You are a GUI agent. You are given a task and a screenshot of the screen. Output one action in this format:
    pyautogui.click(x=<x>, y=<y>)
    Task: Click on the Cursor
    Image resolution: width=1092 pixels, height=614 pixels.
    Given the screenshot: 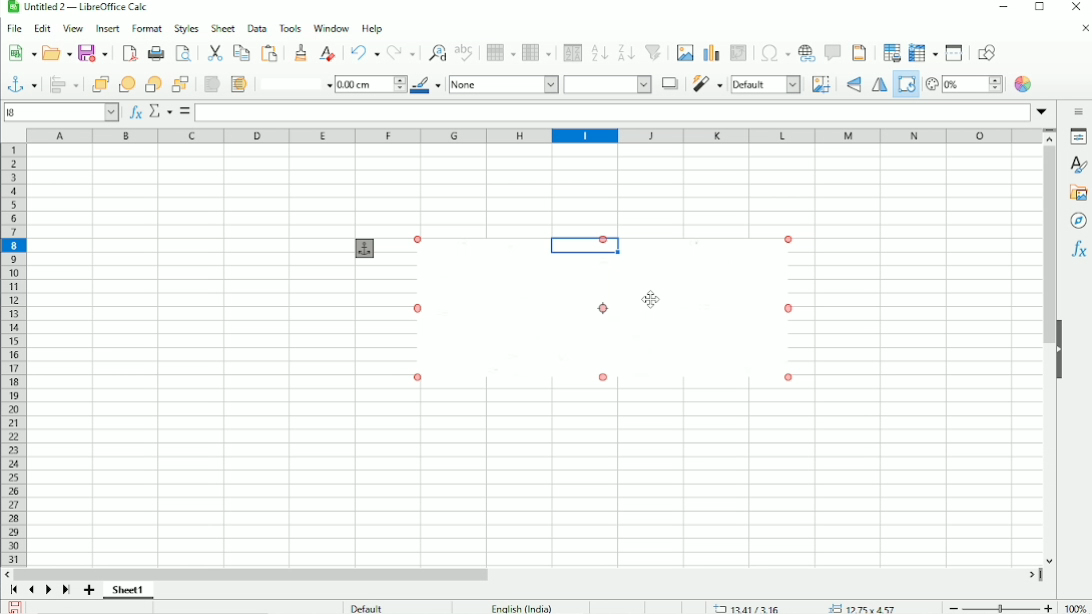 What is the action you would take?
    pyautogui.click(x=652, y=297)
    